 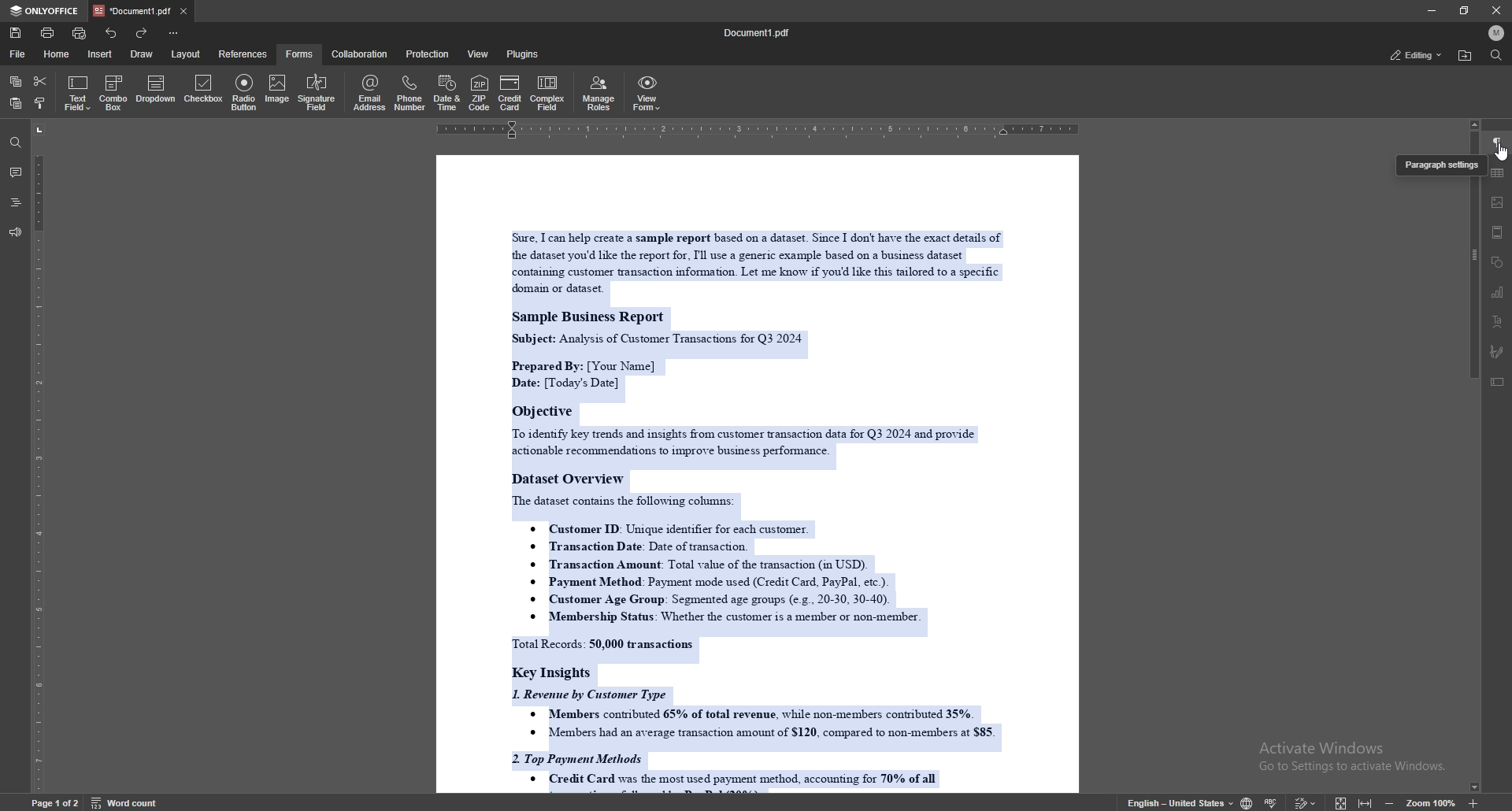 I want to click on spell check, so click(x=1273, y=801).